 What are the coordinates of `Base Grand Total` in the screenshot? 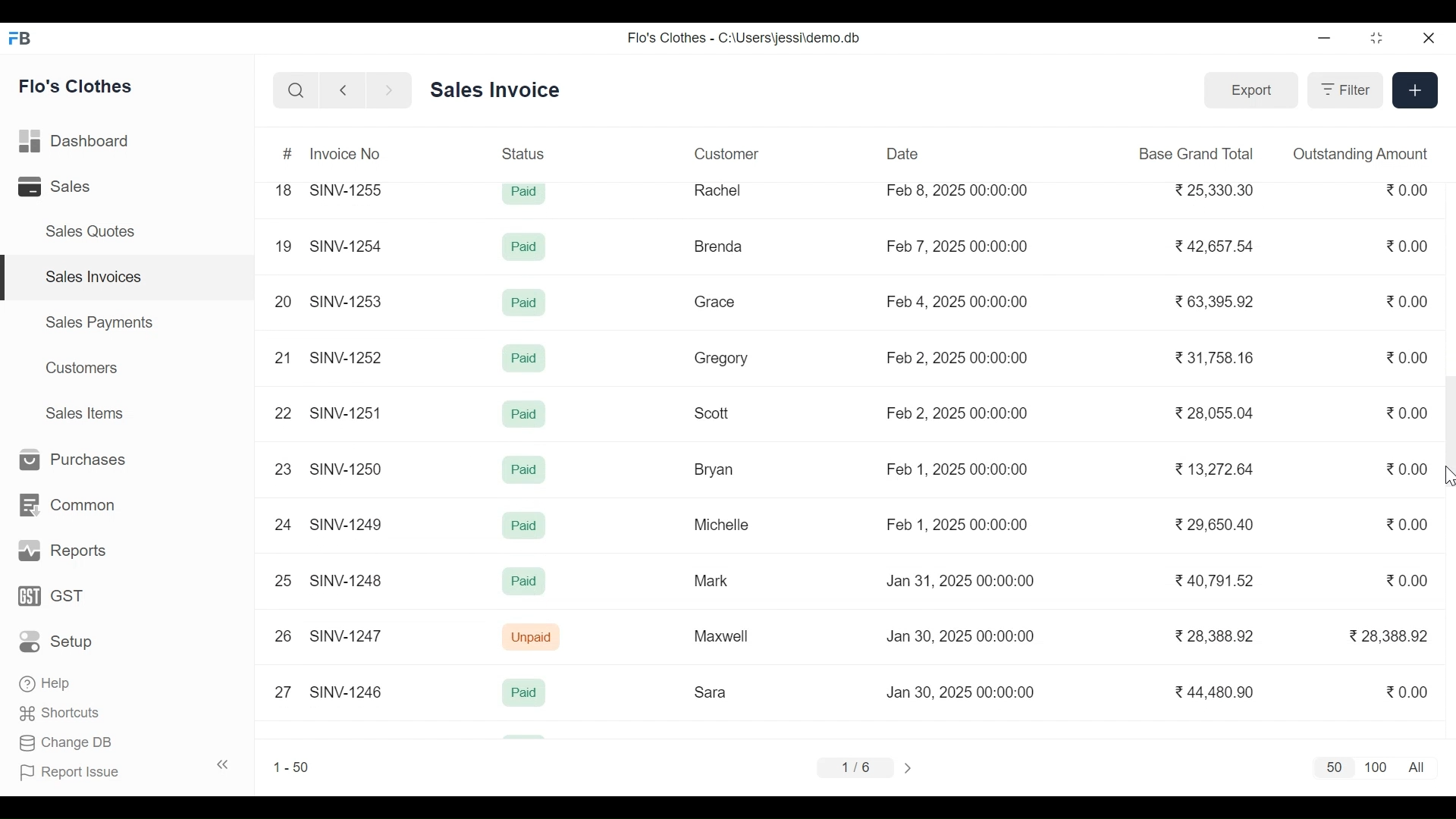 It's located at (1198, 152).